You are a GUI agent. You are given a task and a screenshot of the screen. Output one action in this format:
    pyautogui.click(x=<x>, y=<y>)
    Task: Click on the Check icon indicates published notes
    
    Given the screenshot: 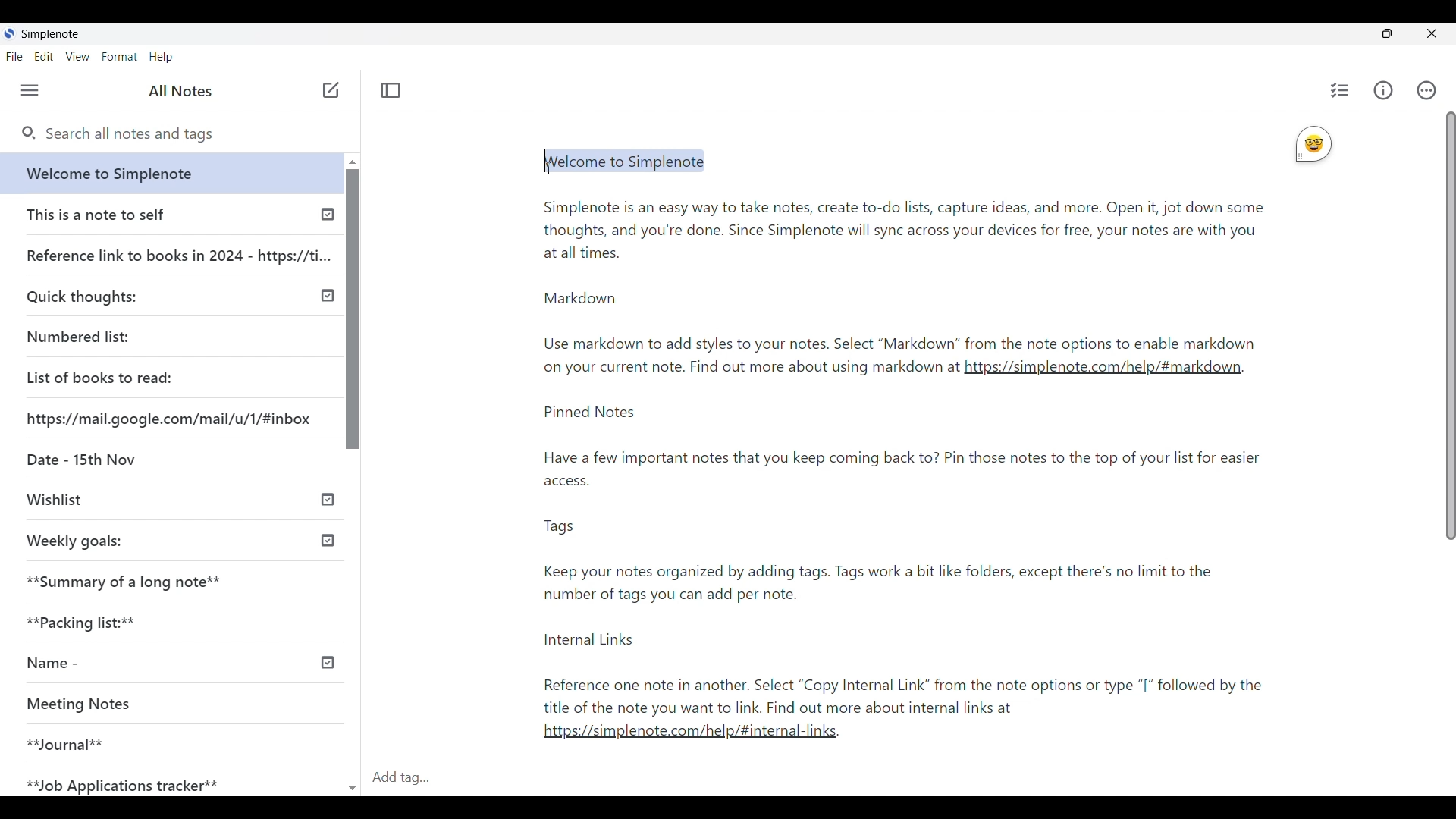 What is the action you would take?
    pyautogui.click(x=326, y=296)
    